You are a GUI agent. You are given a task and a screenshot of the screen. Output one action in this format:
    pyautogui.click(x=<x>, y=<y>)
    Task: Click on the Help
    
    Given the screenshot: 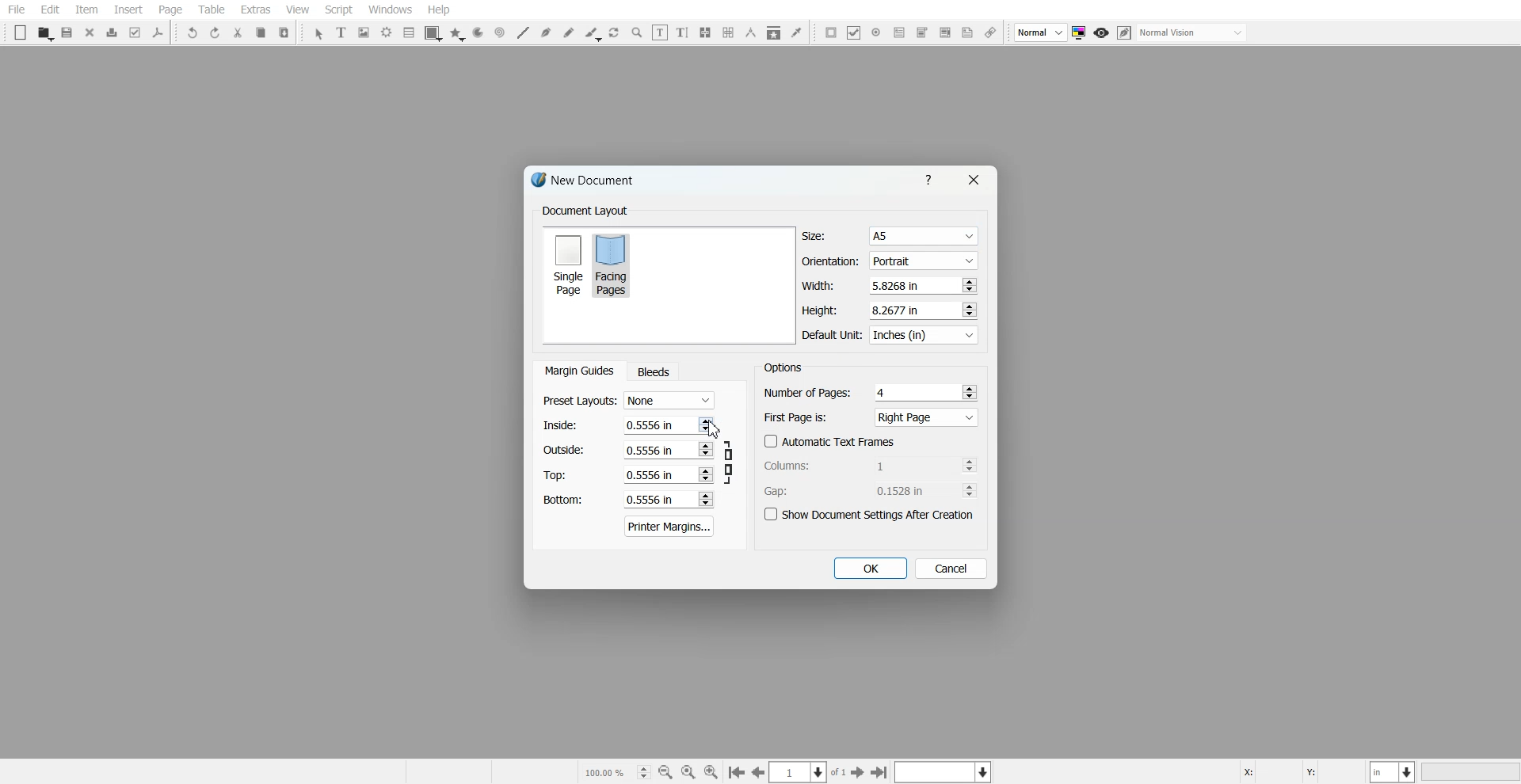 What is the action you would take?
    pyautogui.click(x=932, y=179)
    